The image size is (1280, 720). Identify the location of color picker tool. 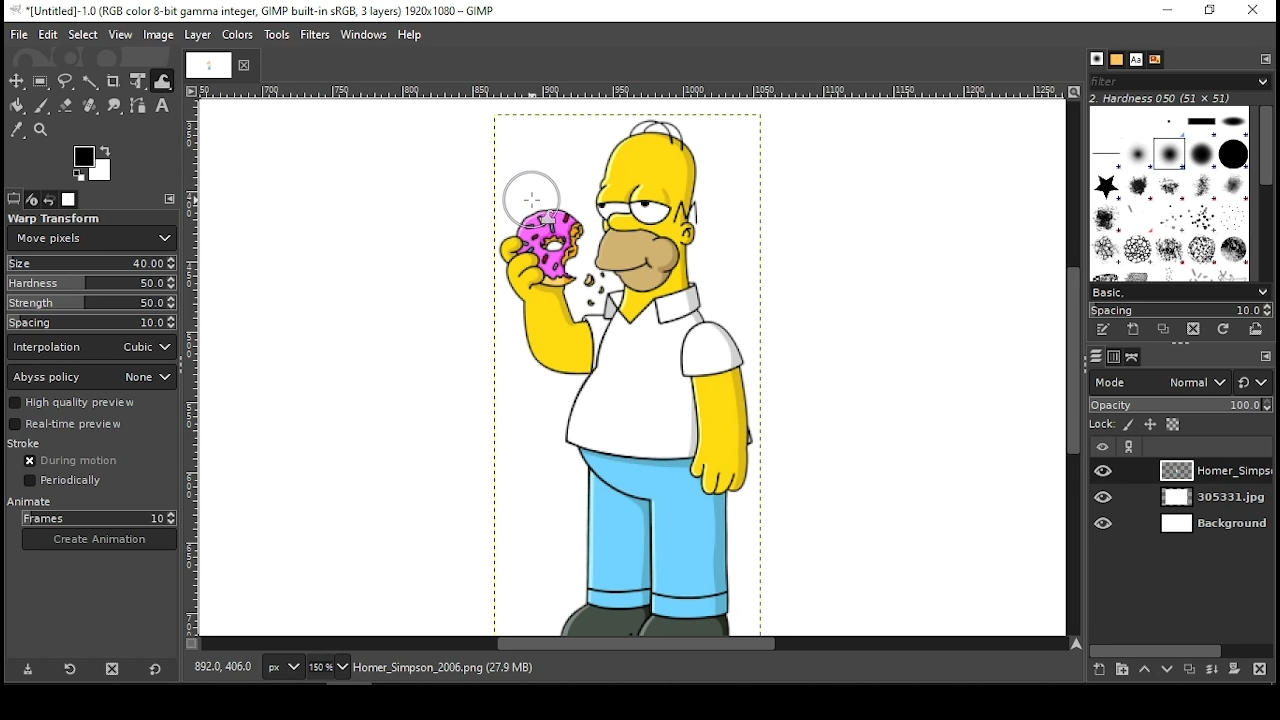
(16, 132).